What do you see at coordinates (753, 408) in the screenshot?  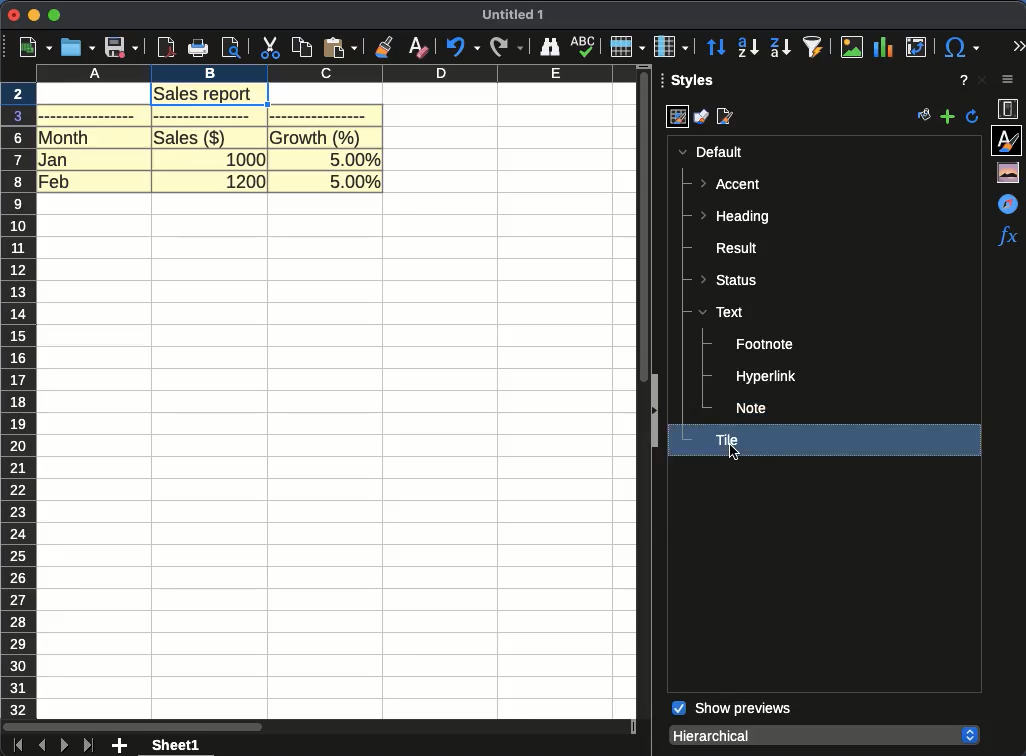 I see `note` at bounding box center [753, 408].